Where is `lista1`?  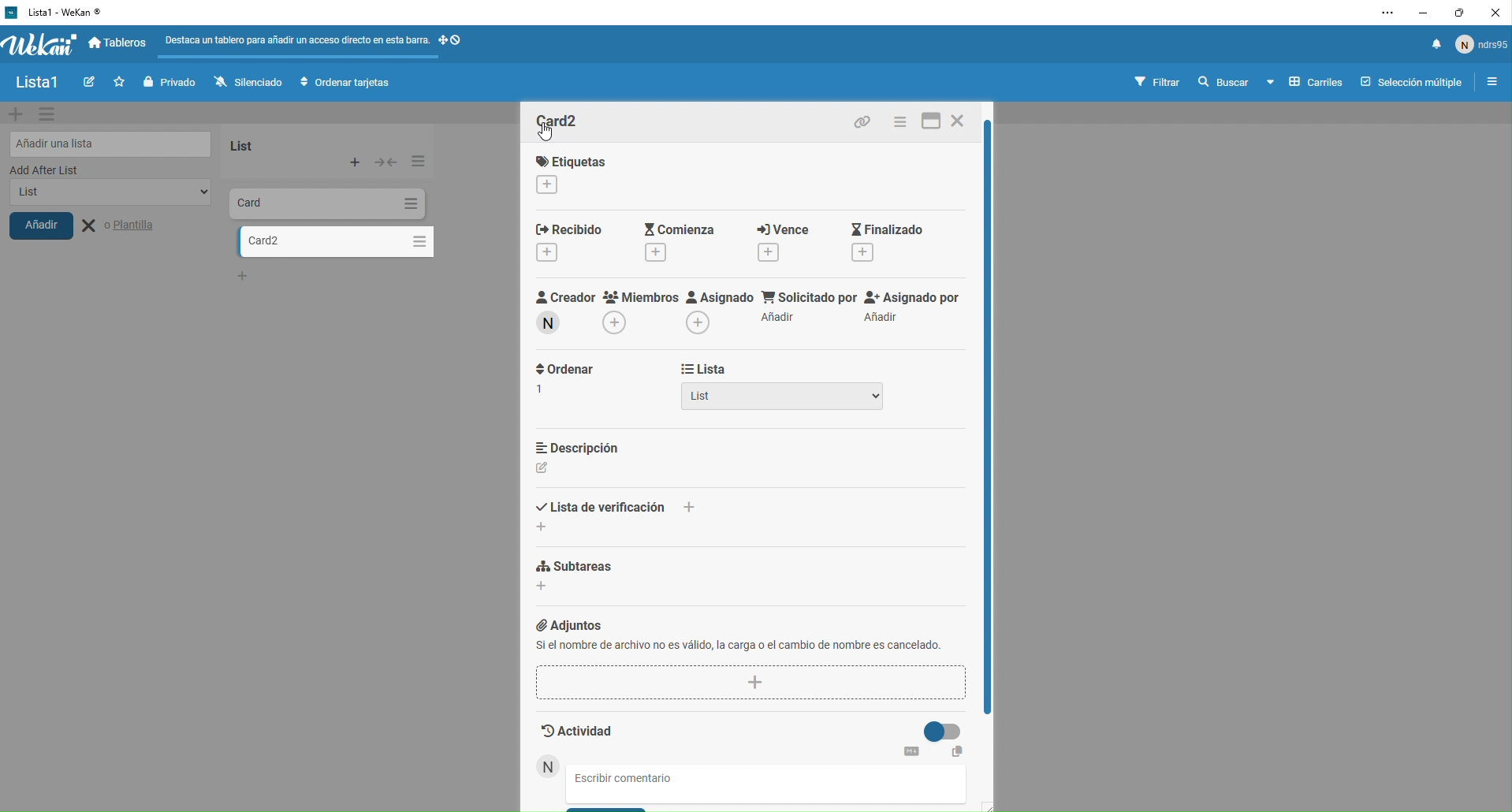 lista1 is located at coordinates (36, 84).